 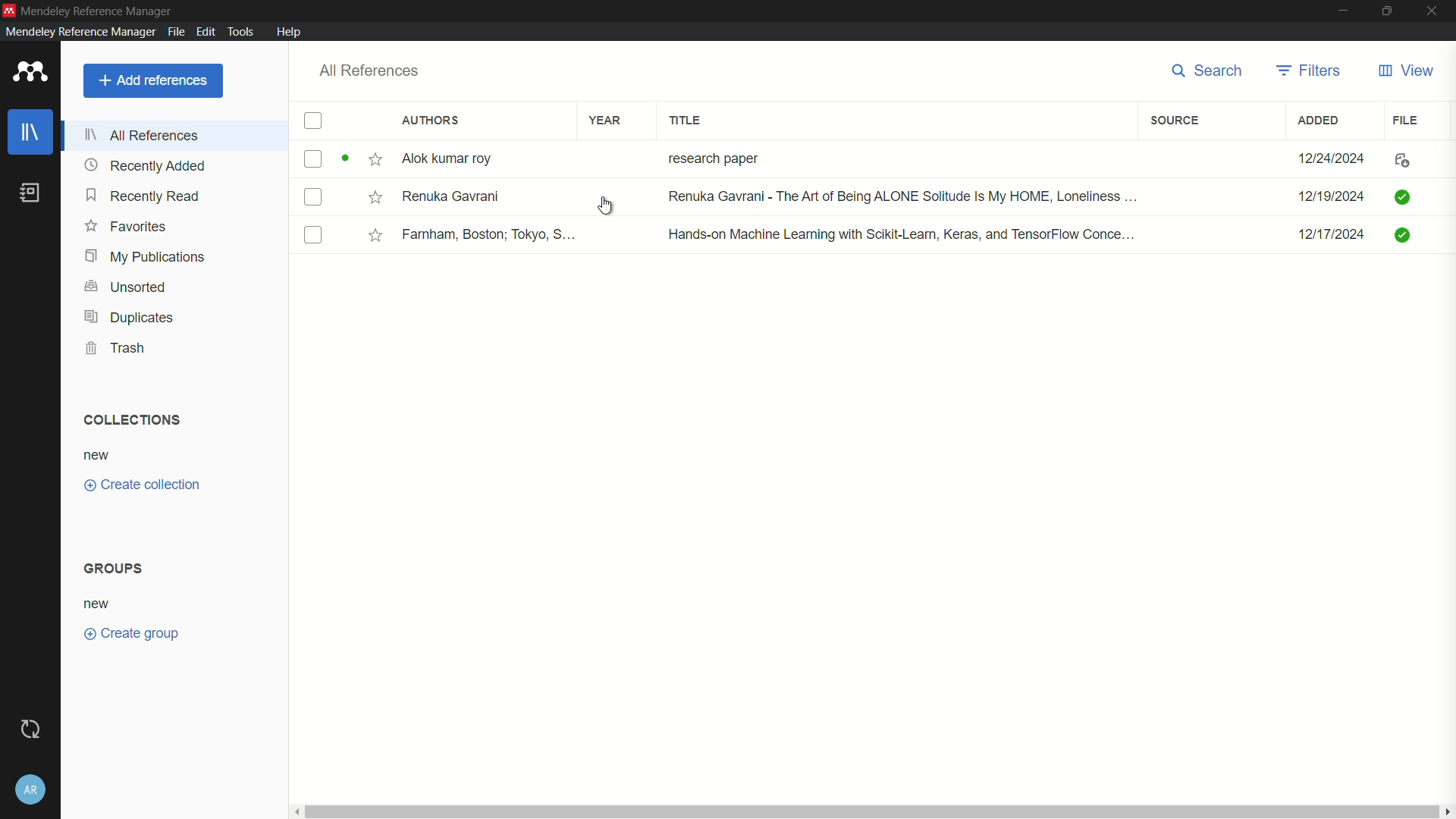 I want to click on help menu, so click(x=290, y=31).